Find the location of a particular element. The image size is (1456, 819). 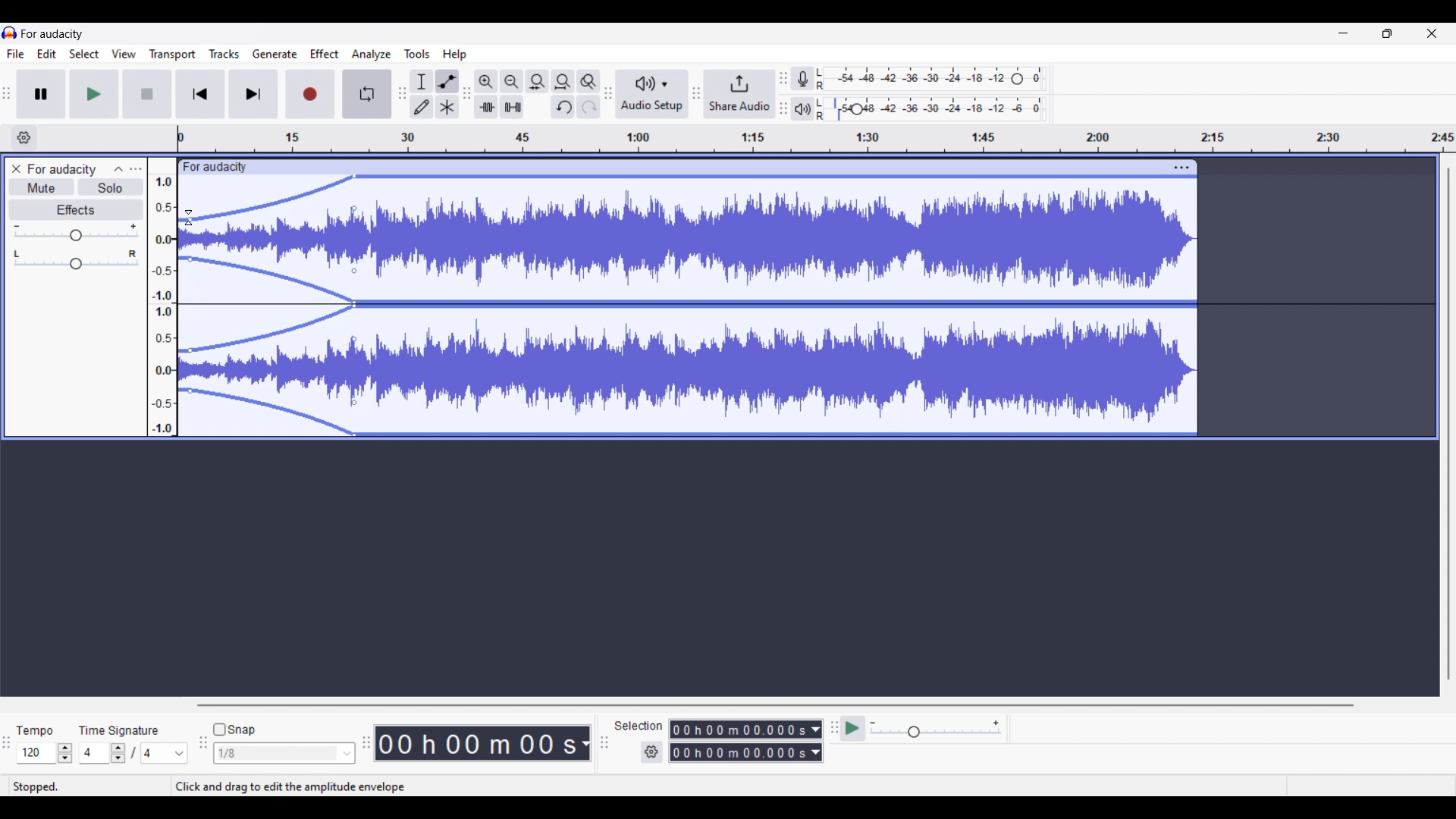

Cursor position unchanged after dragging waves closer is located at coordinates (189, 218).